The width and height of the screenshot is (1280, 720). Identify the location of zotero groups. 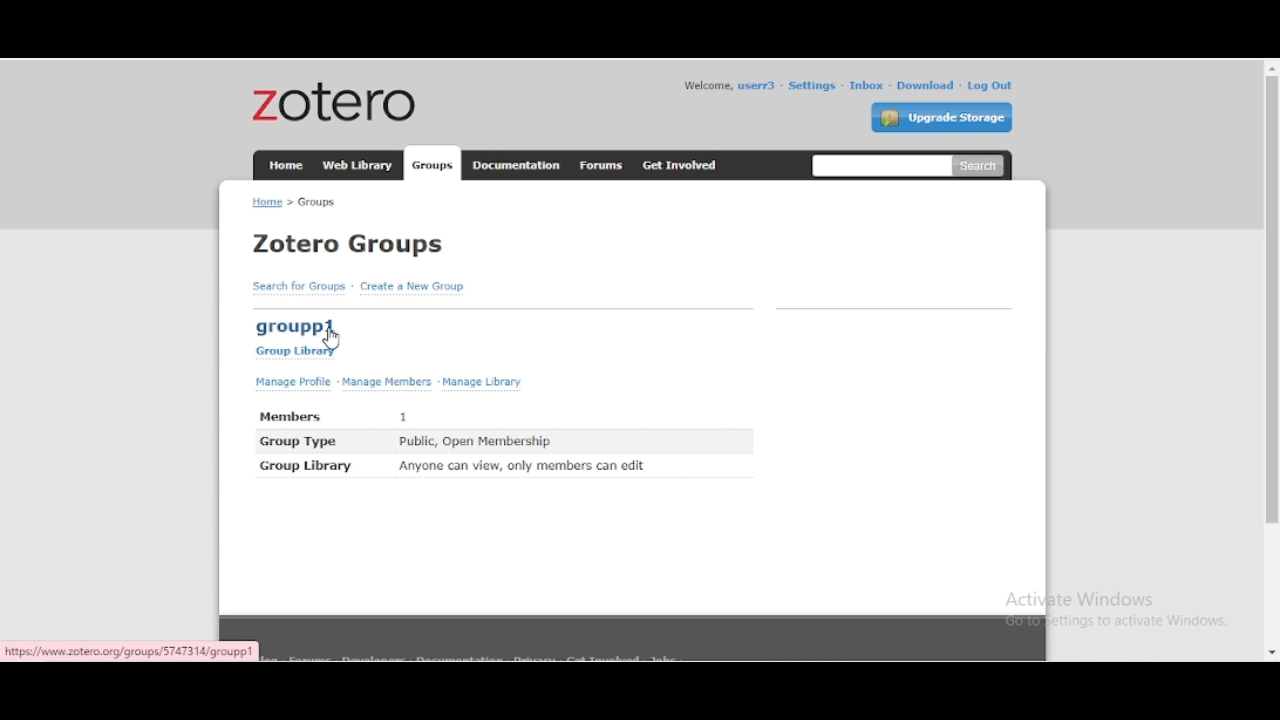
(350, 244).